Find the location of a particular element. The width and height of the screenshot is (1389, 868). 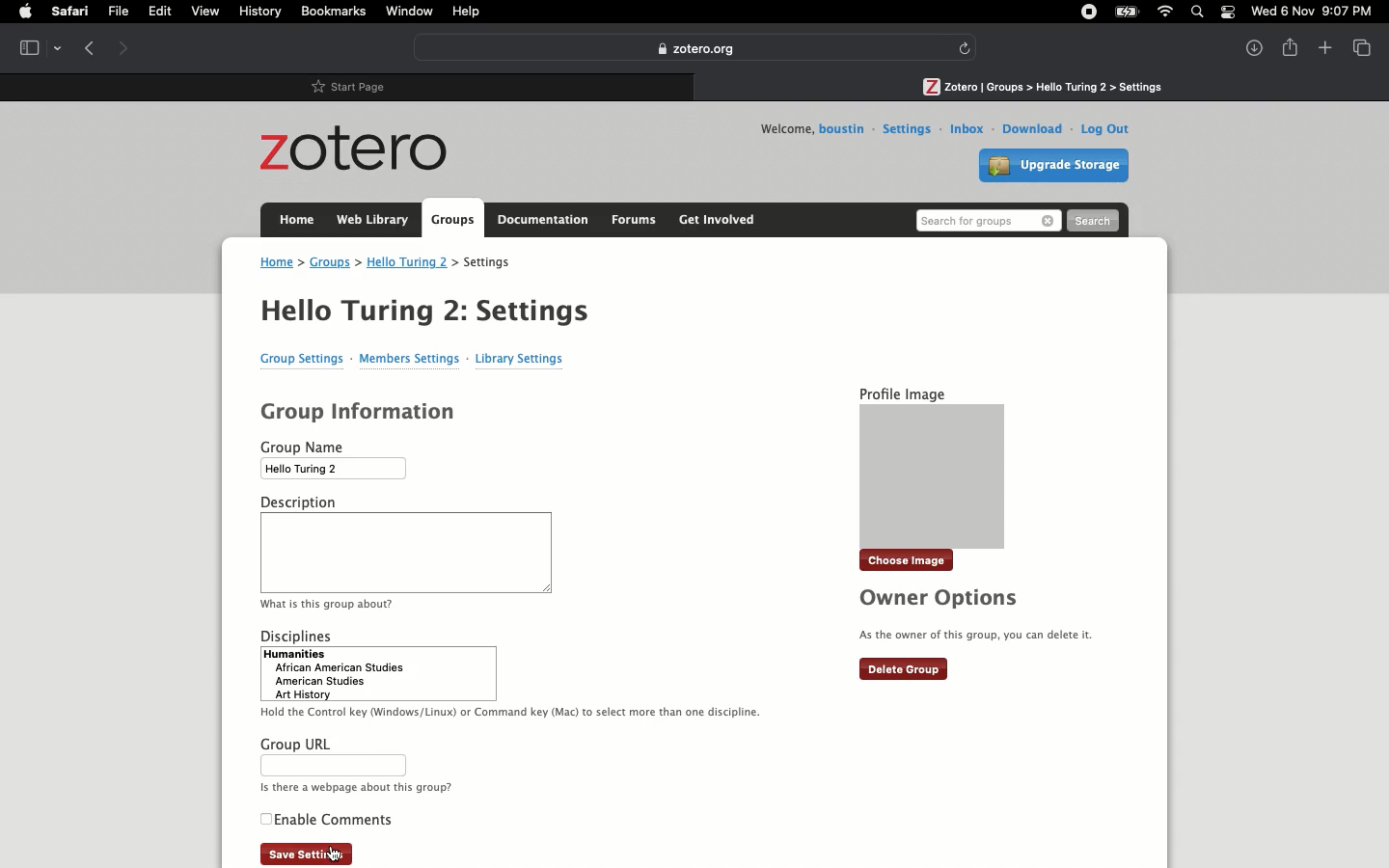

Notification bar is located at coordinates (1225, 14).